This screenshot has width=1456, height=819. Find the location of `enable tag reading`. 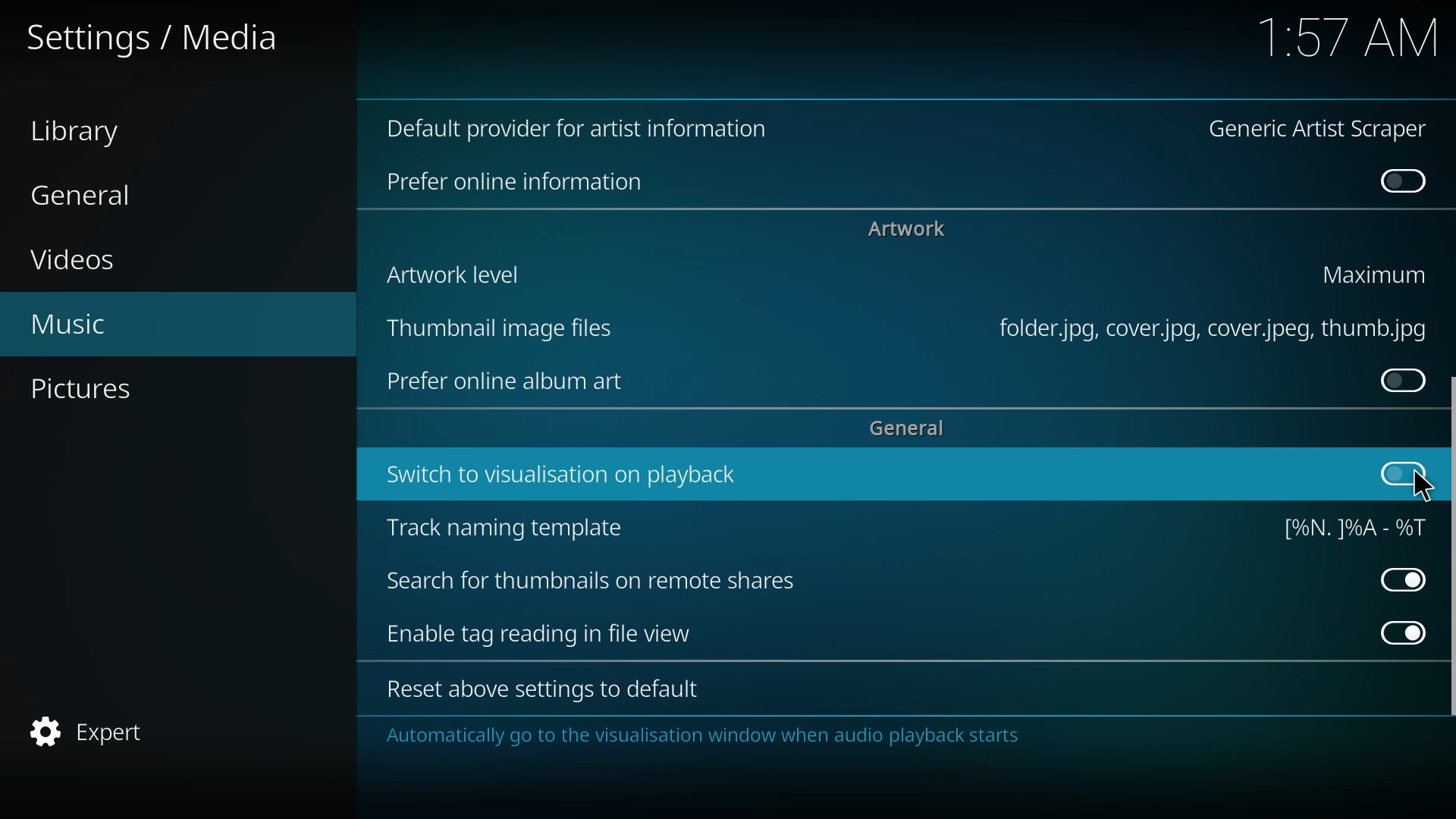

enable tag reading is located at coordinates (538, 635).